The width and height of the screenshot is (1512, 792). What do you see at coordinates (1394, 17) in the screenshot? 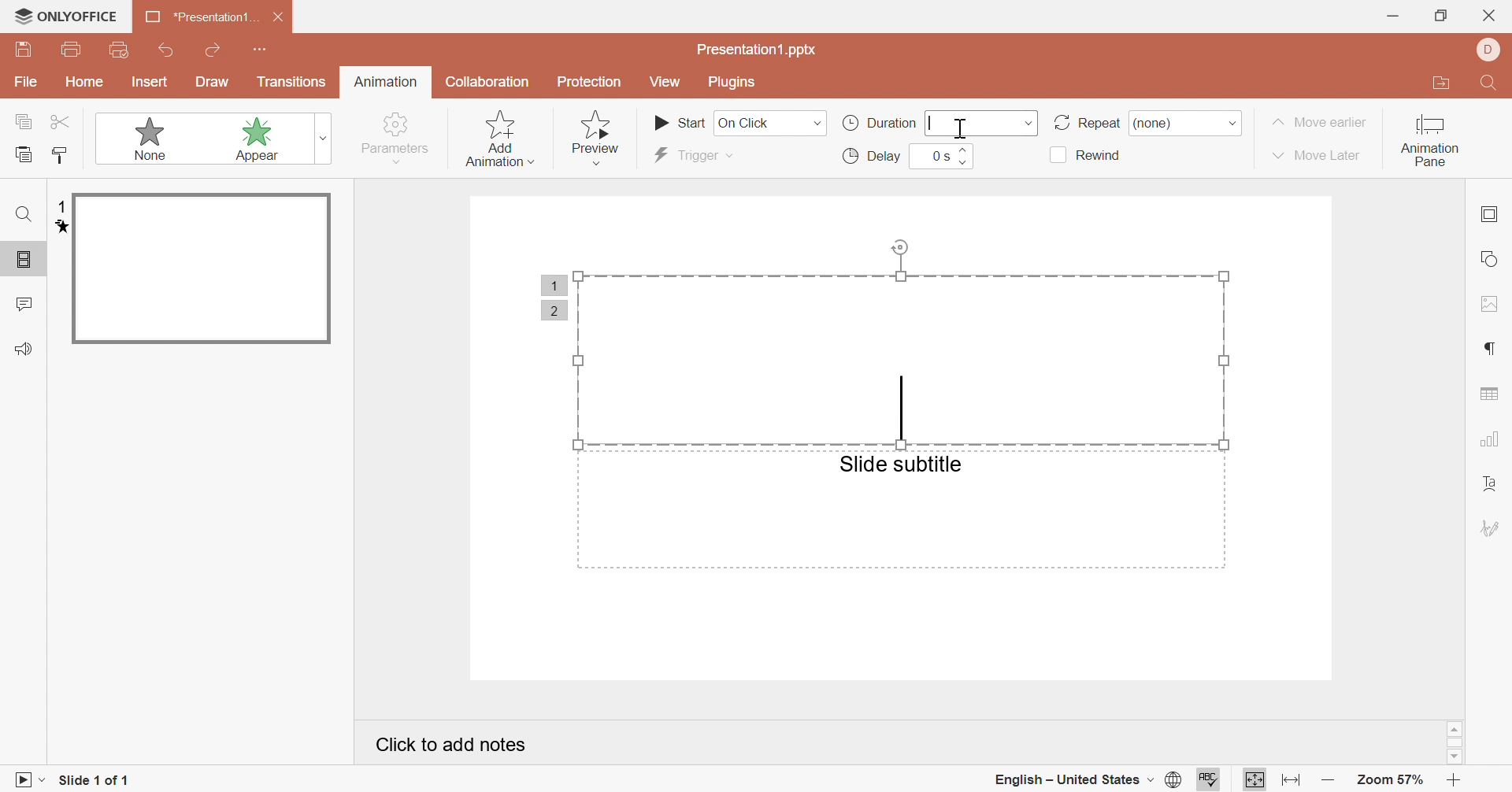
I see `minimize` at bounding box center [1394, 17].